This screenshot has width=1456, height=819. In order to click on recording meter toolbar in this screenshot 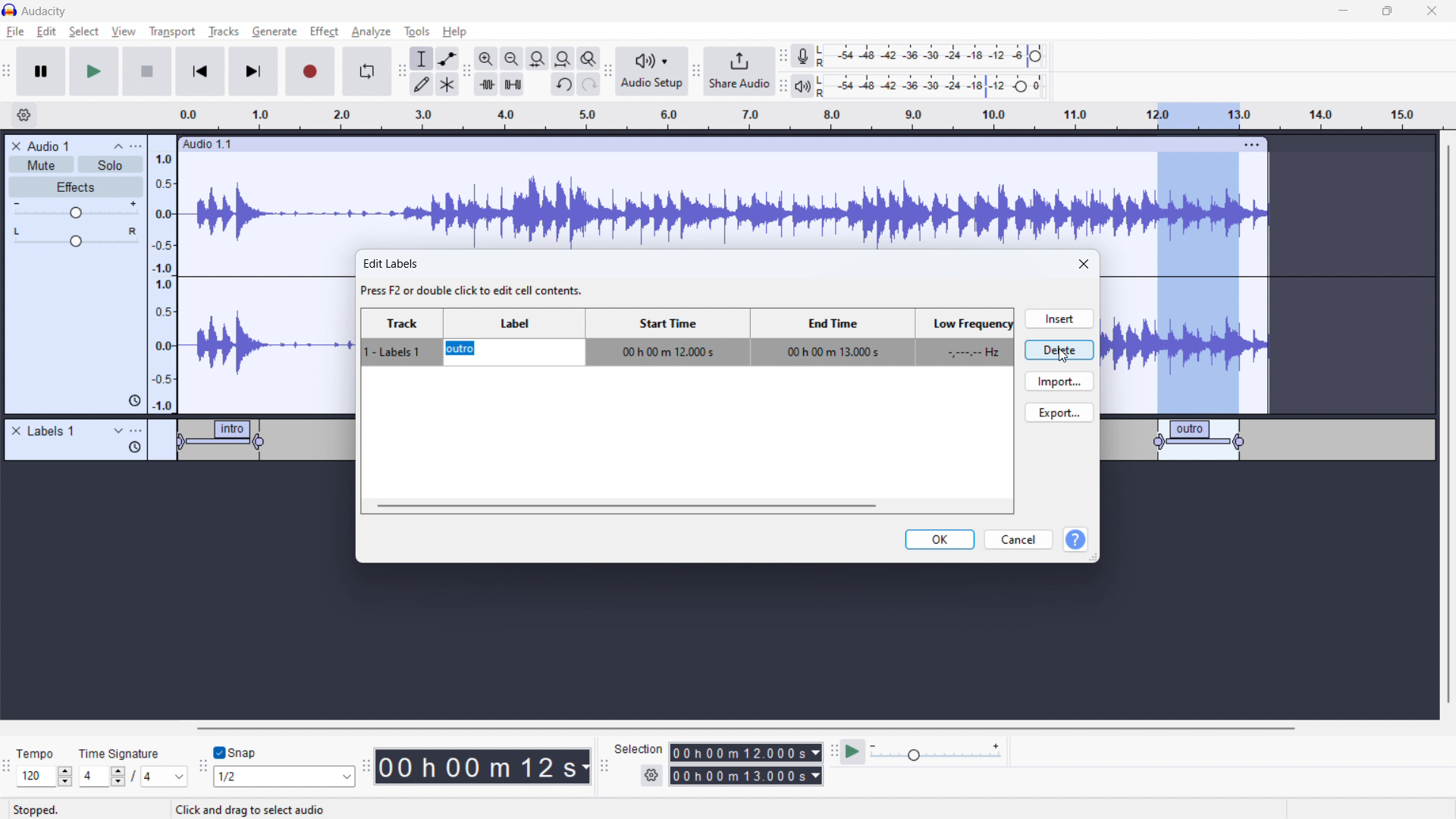, I will do `click(783, 58)`.